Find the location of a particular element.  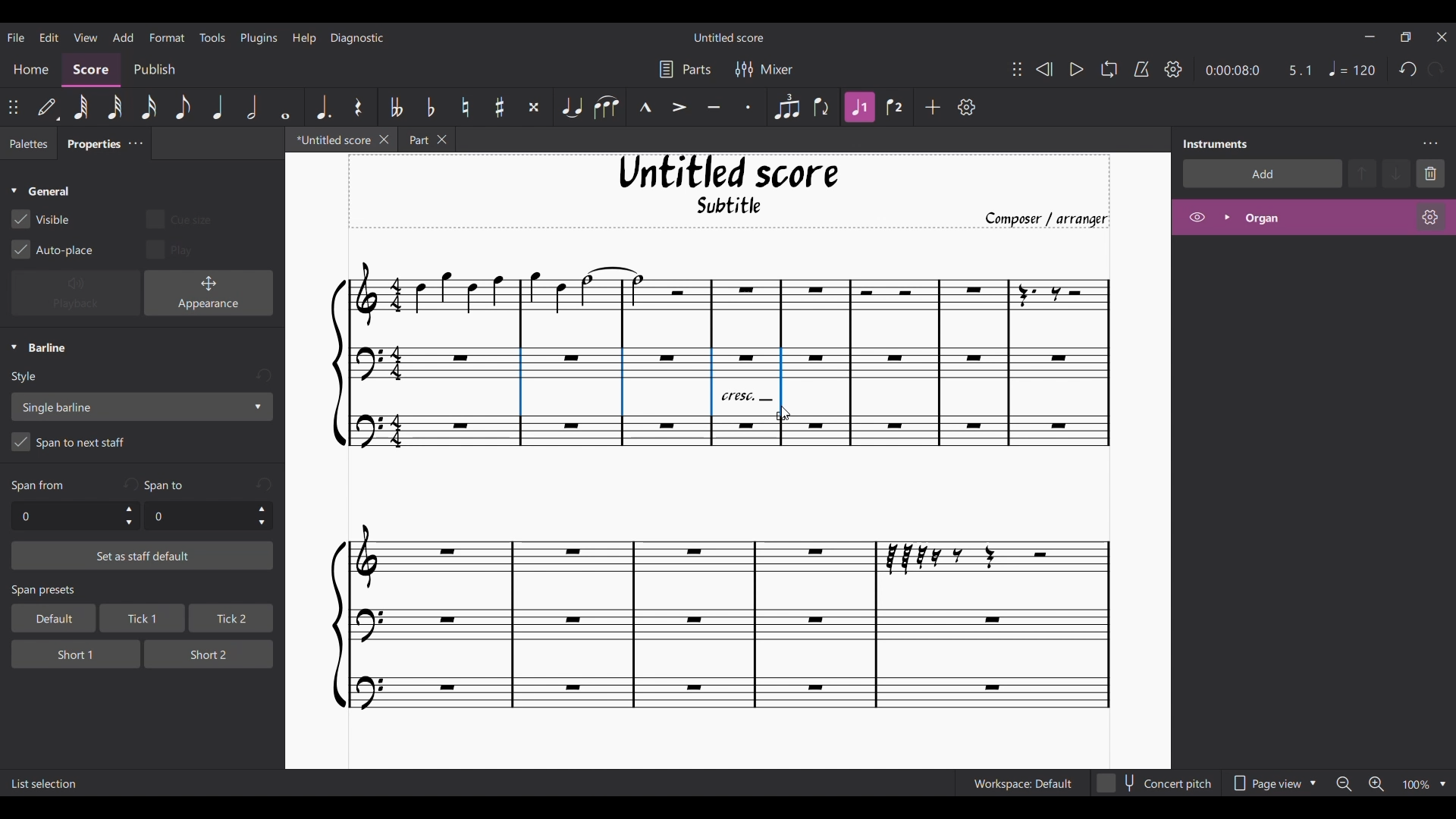

Undo input made is located at coordinates (263, 376).